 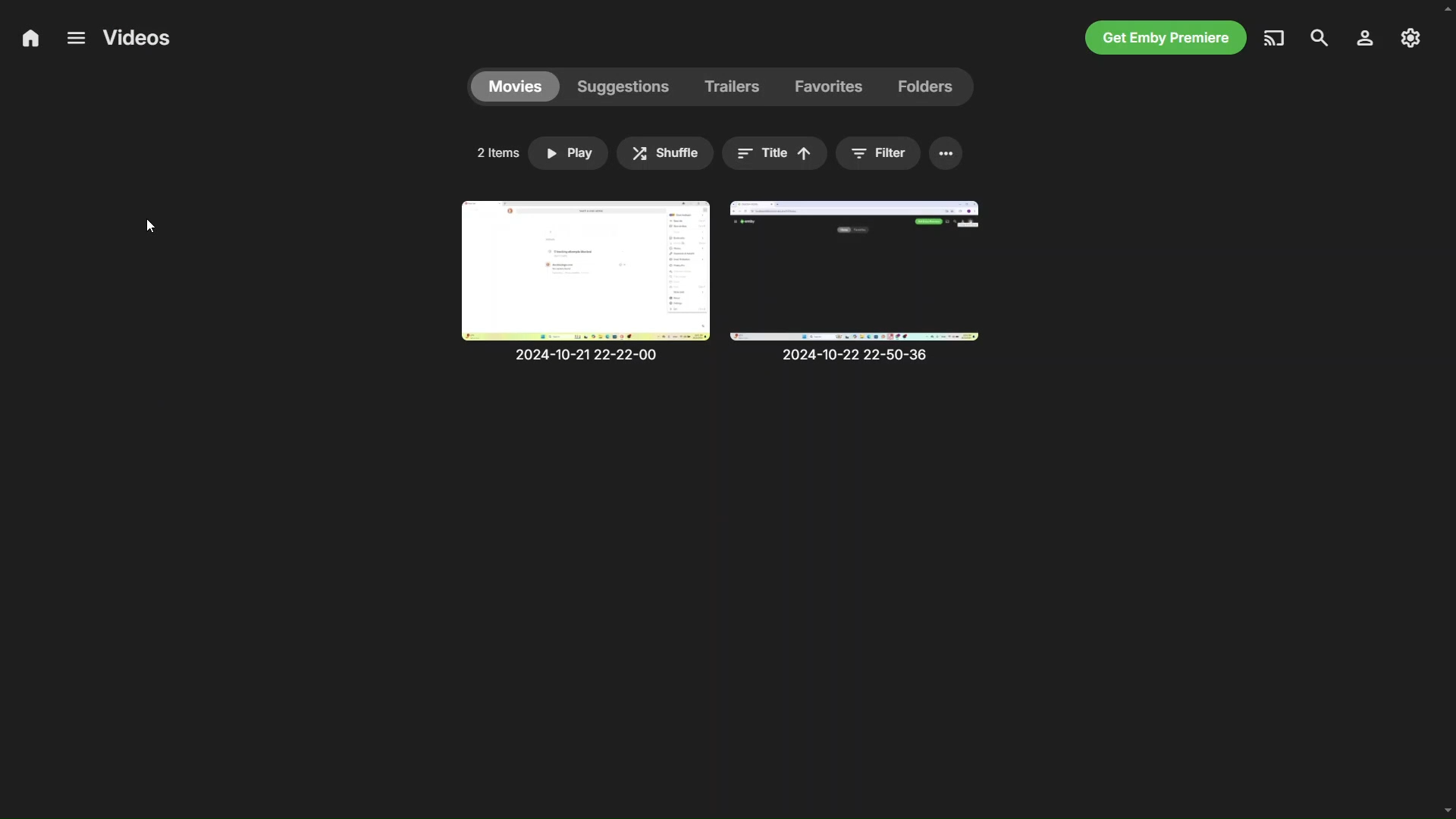 What do you see at coordinates (75, 39) in the screenshot?
I see `menu` at bounding box center [75, 39].